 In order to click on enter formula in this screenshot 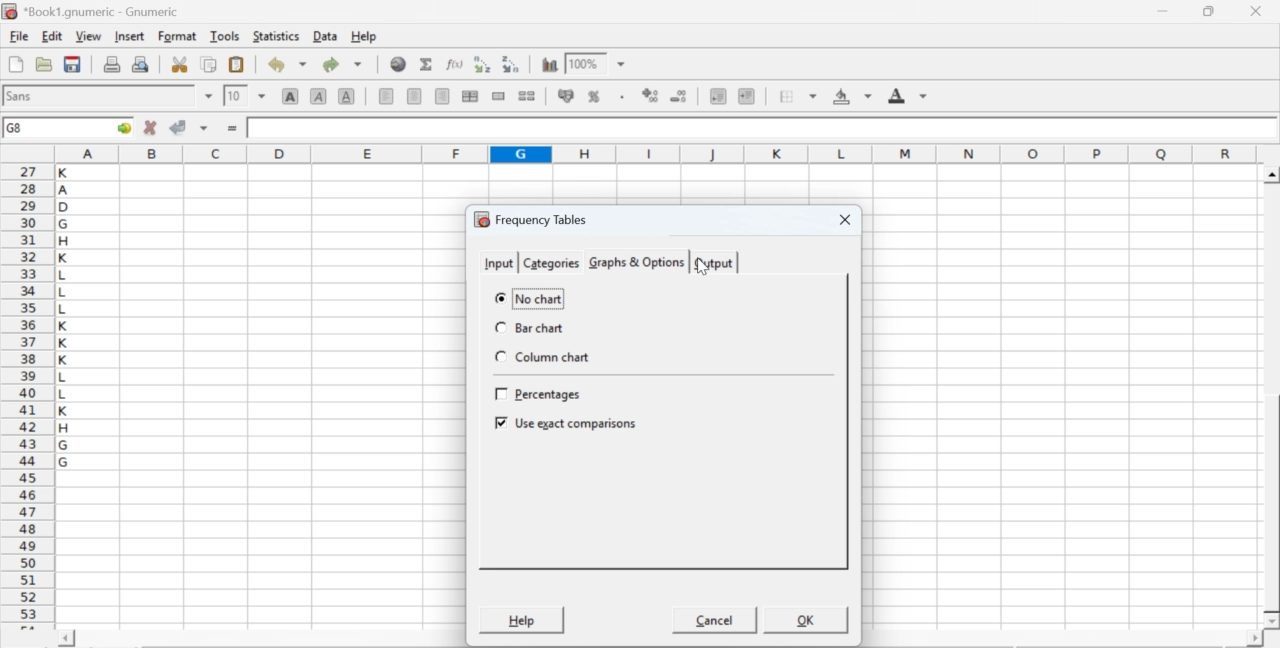, I will do `click(234, 129)`.